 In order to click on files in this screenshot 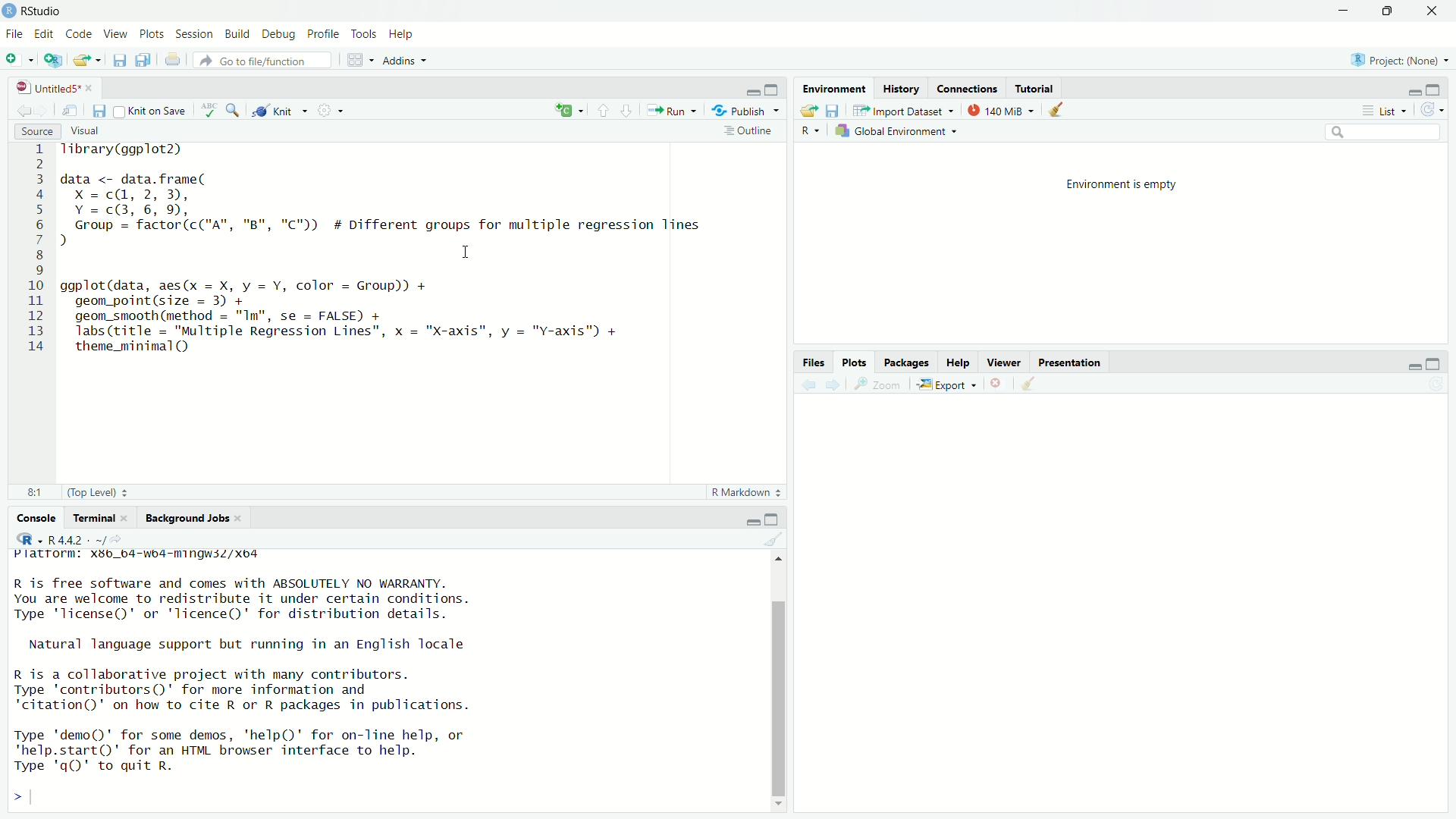, I will do `click(100, 111)`.